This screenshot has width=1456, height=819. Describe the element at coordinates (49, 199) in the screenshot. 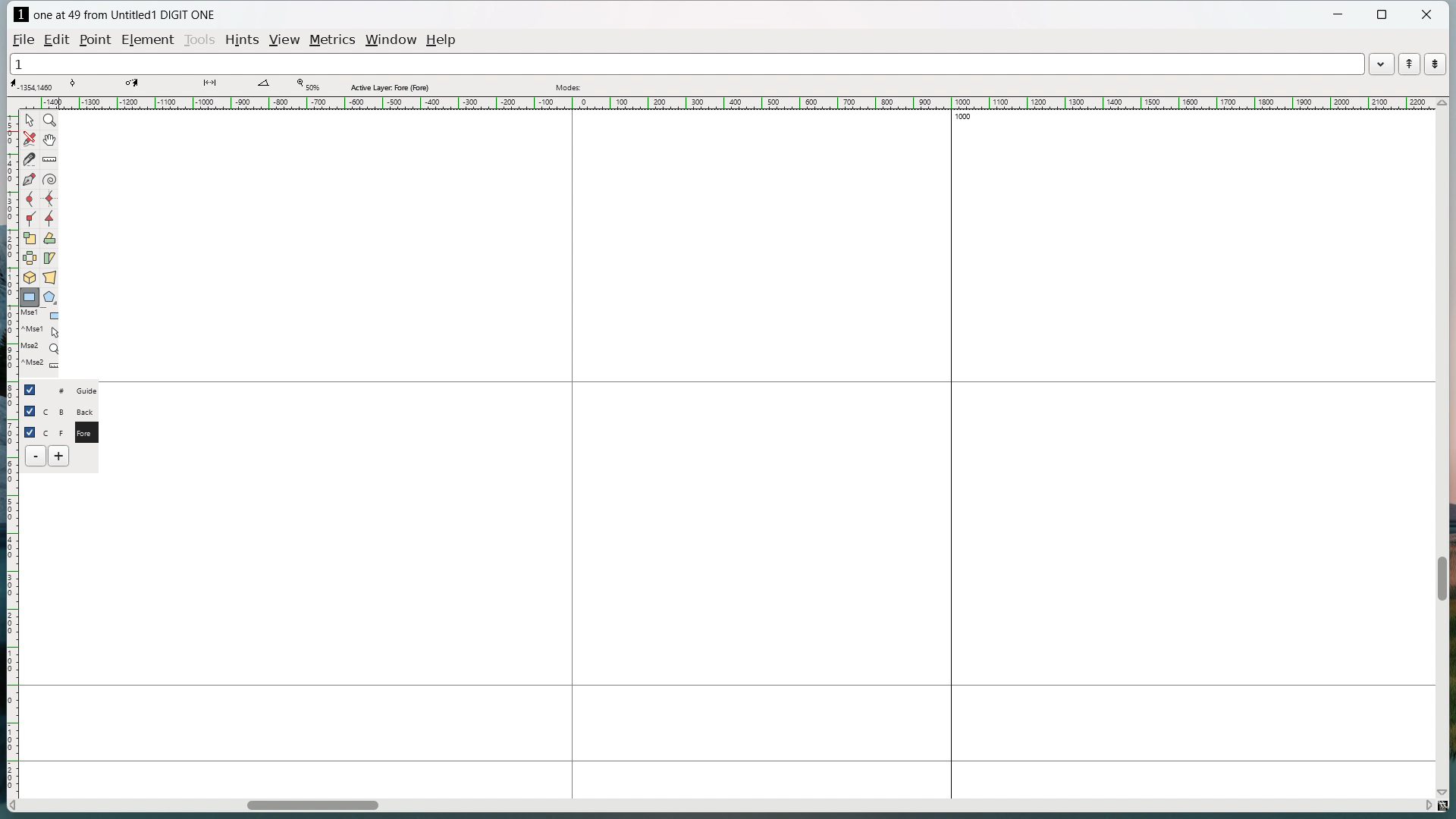

I see `add a curve point always either vertical or horizontal` at that location.